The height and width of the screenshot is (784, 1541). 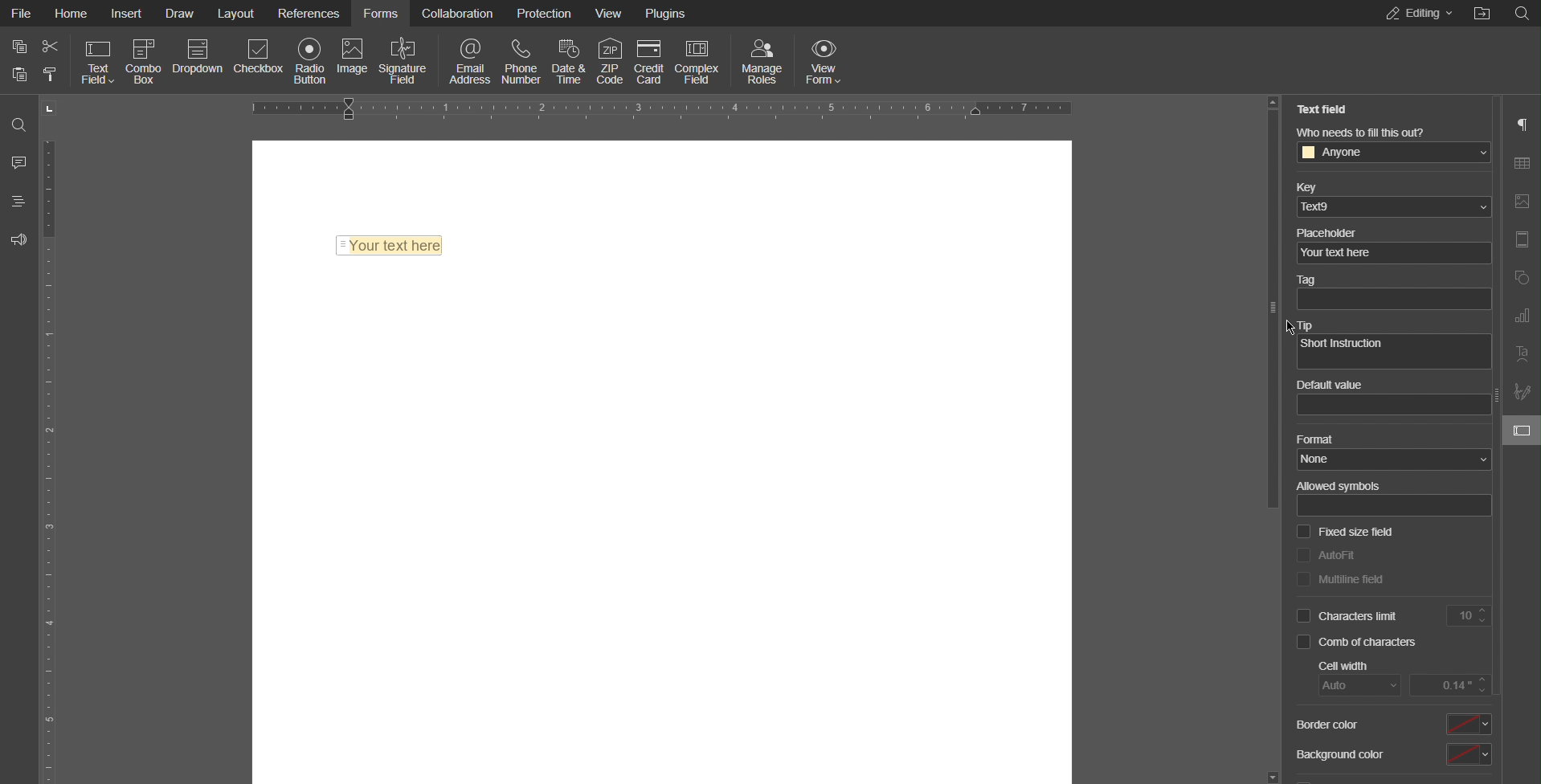 What do you see at coordinates (238, 13) in the screenshot?
I see `Layout` at bounding box center [238, 13].